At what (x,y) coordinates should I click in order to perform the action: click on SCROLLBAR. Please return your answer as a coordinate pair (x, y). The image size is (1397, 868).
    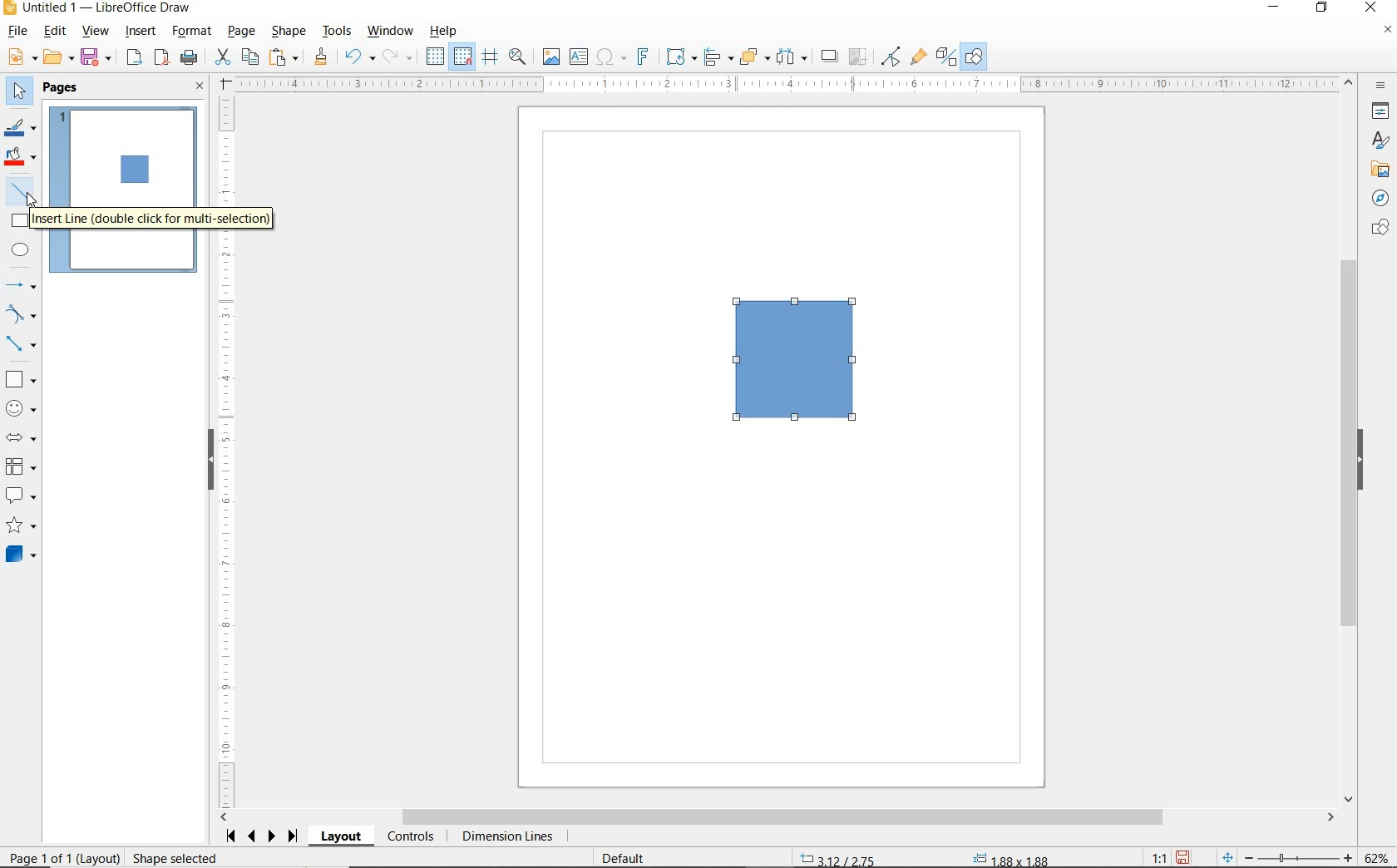
    Looking at the image, I should click on (777, 817).